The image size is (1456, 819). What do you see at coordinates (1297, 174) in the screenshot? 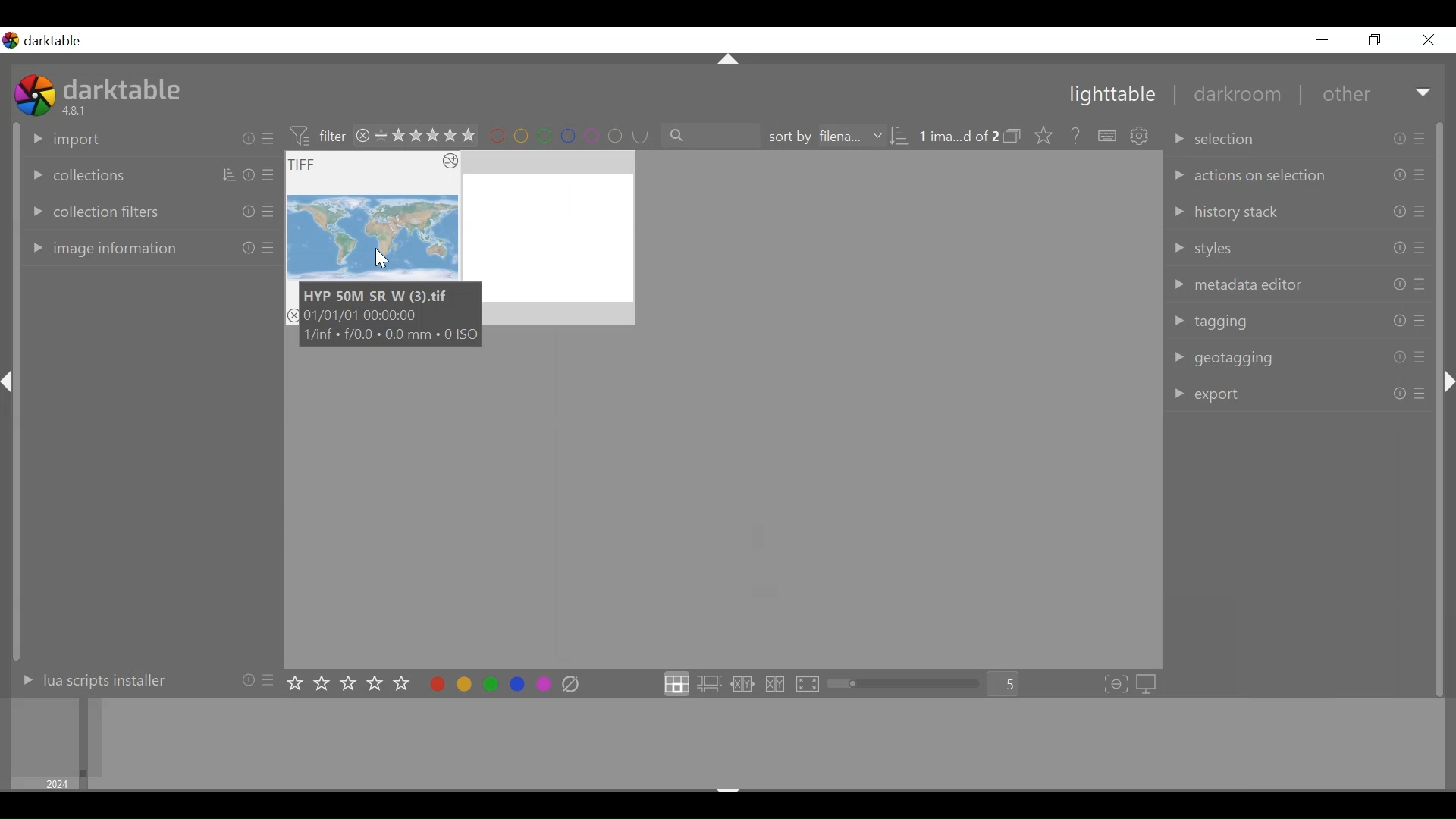
I see `action of selection` at bounding box center [1297, 174].